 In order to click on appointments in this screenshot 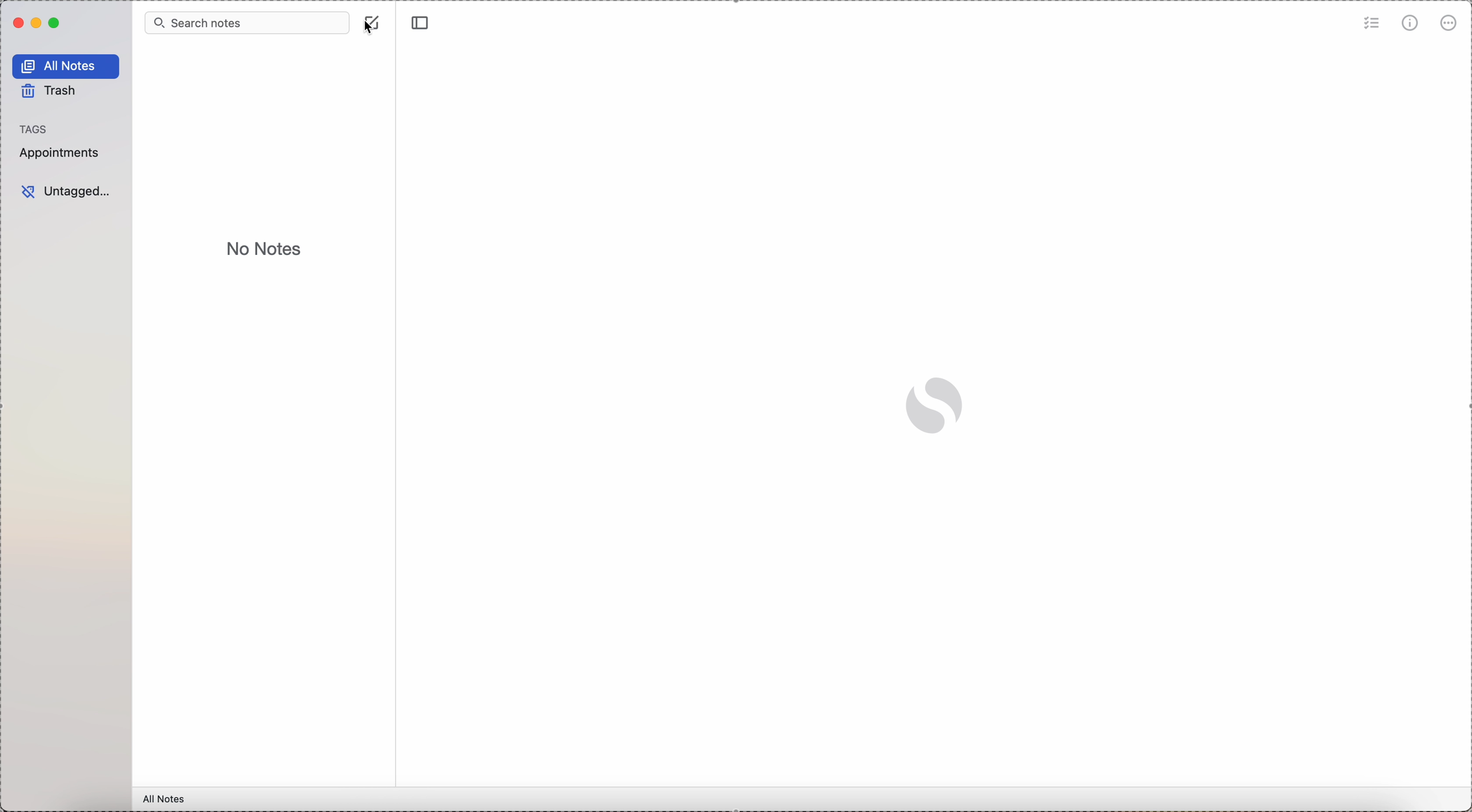, I will do `click(62, 153)`.